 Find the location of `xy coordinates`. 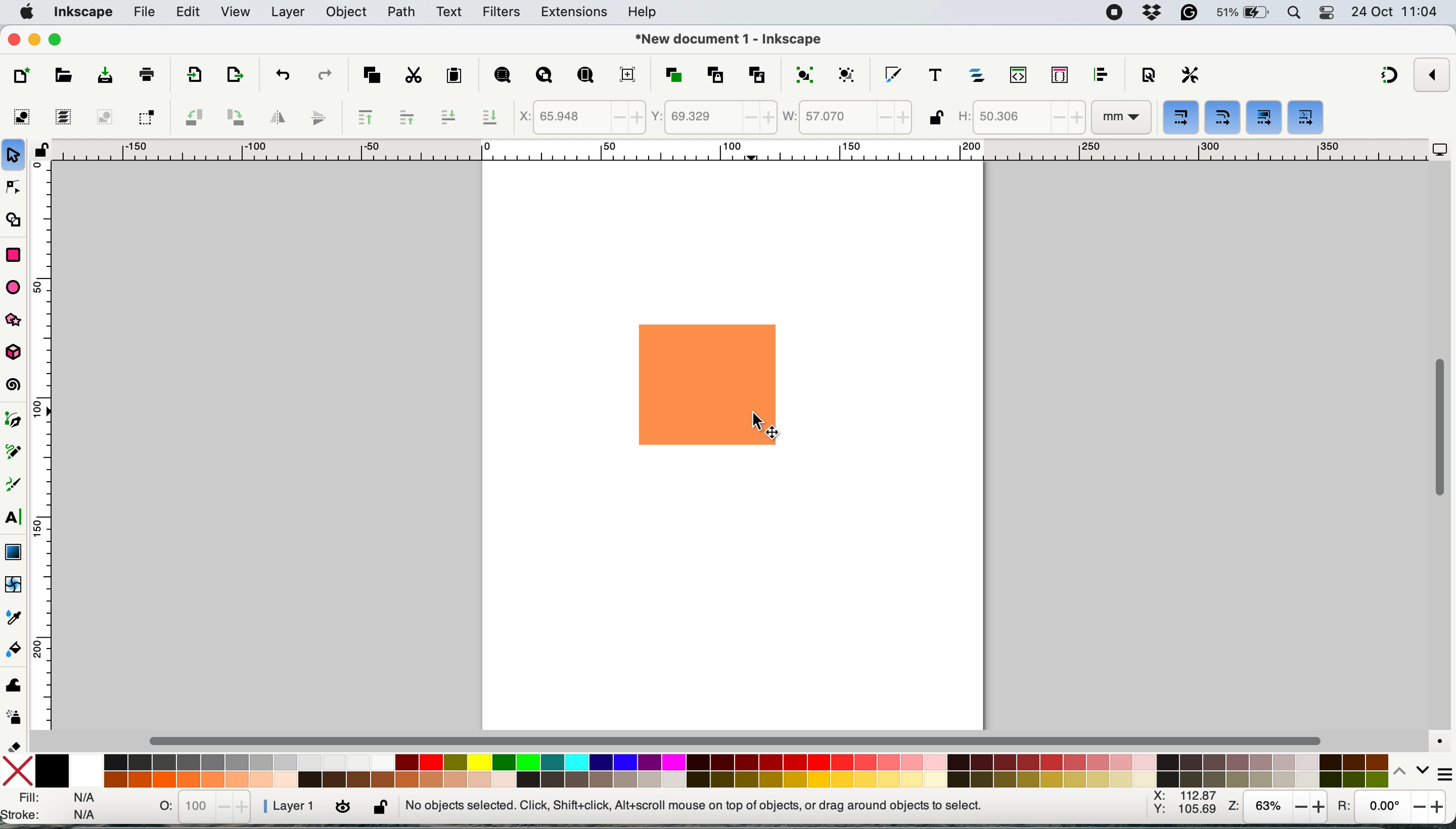

xy coordinates is located at coordinates (1184, 806).